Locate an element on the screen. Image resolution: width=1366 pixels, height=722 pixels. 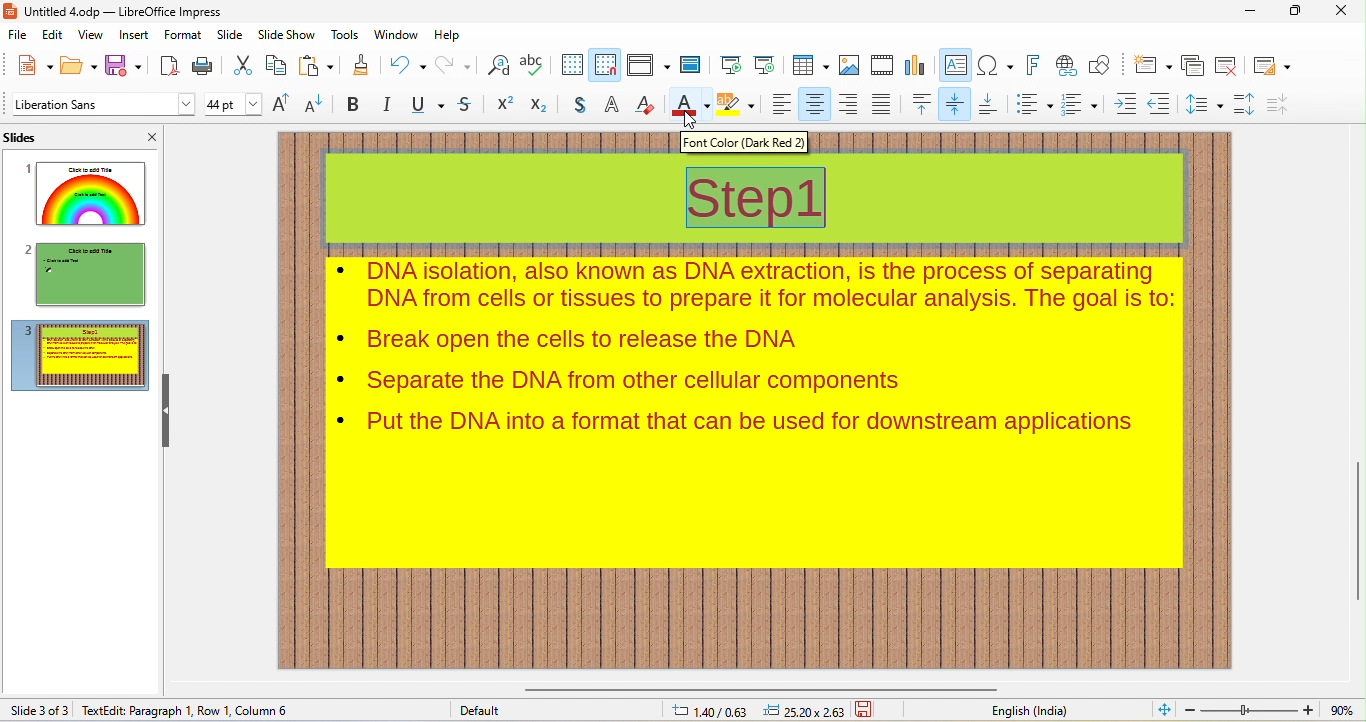
view is located at coordinates (94, 36).